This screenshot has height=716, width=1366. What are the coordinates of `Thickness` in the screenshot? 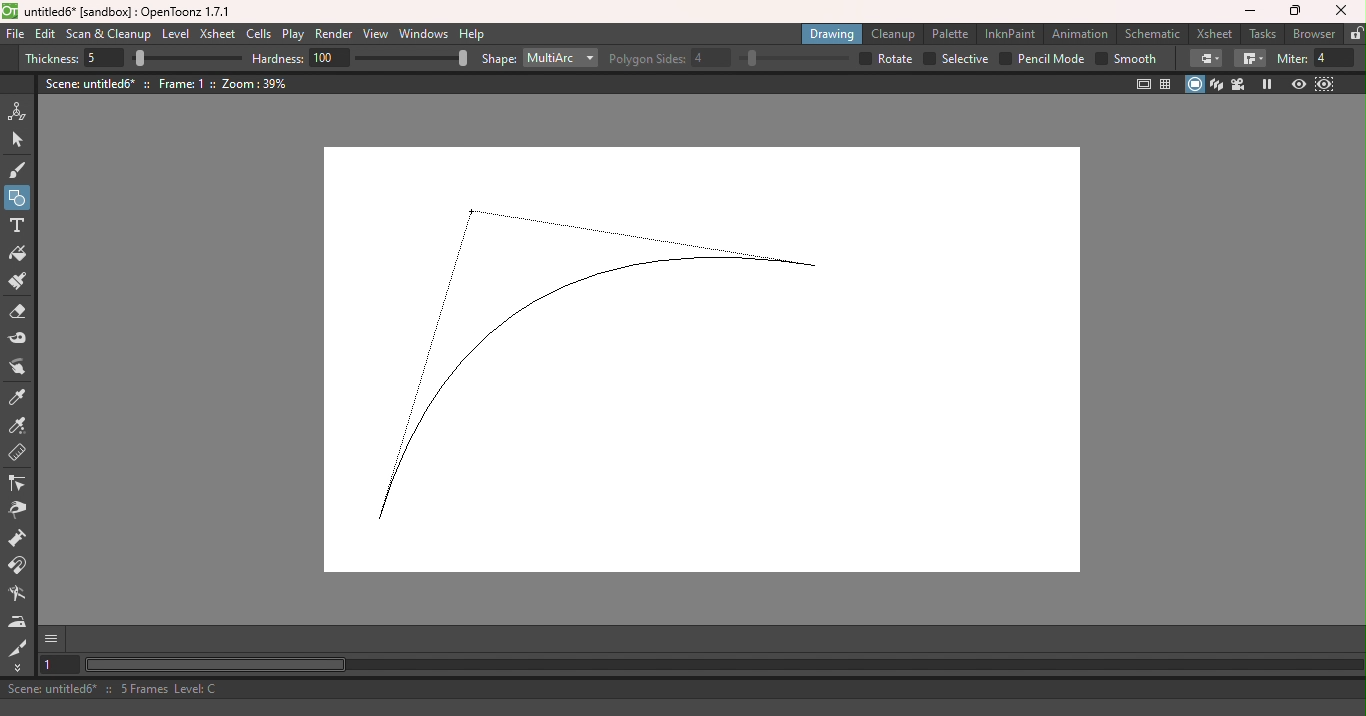 It's located at (74, 59).